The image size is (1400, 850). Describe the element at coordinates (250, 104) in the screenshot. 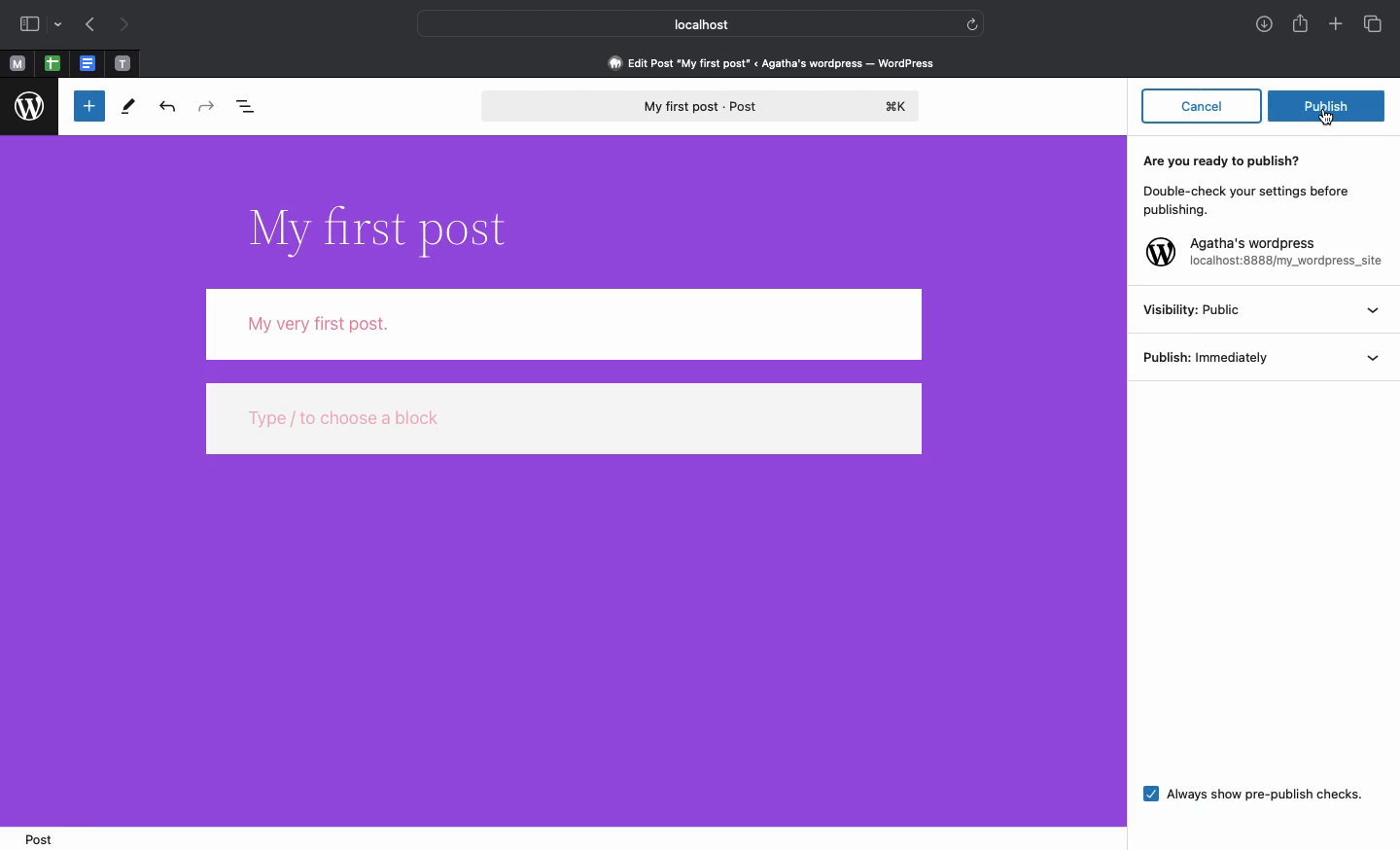

I see `Document overview` at that location.